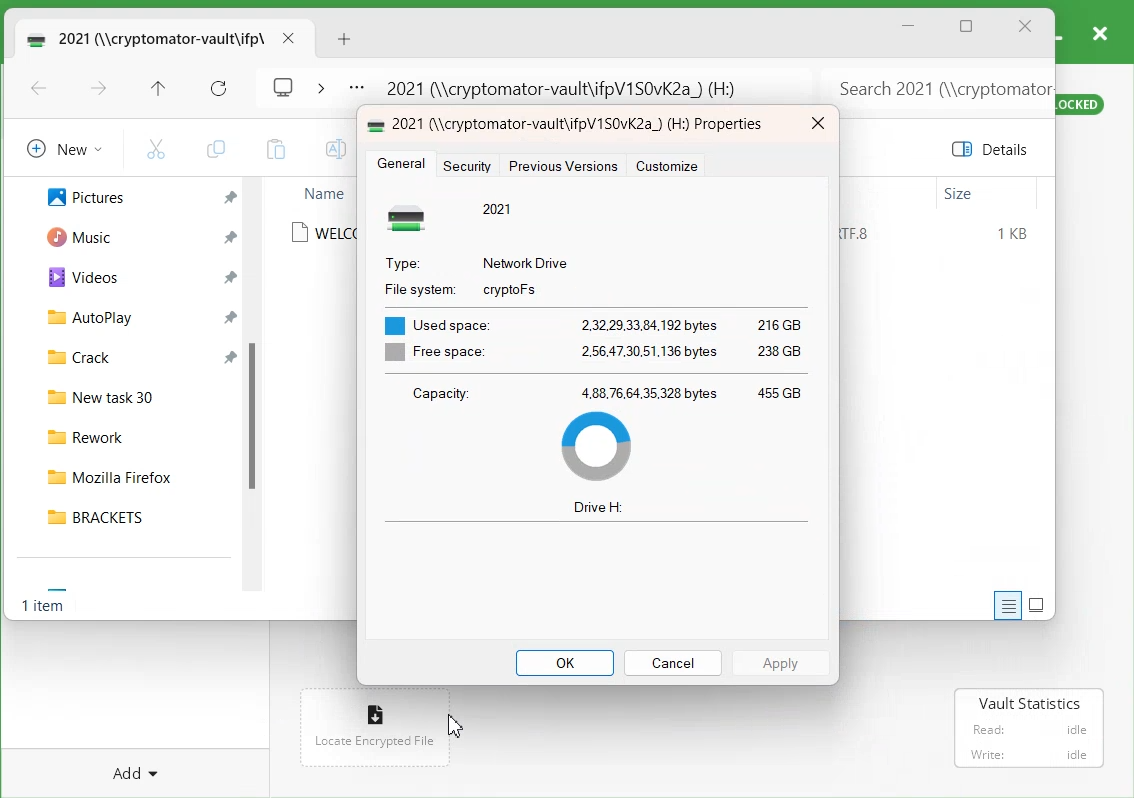 The image size is (1134, 798). What do you see at coordinates (909, 26) in the screenshot?
I see `Minimize` at bounding box center [909, 26].